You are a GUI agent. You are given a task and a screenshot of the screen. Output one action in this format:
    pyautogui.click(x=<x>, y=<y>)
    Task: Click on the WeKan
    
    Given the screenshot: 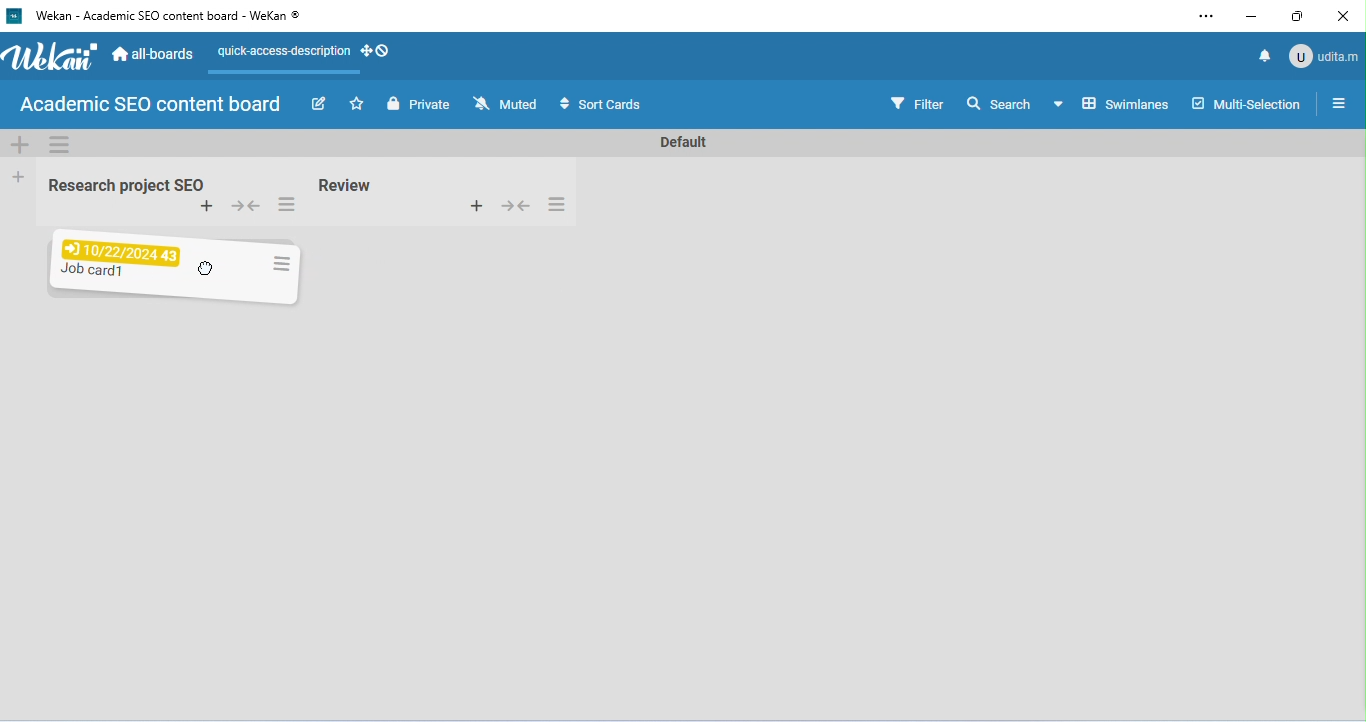 What is the action you would take?
    pyautogui.click(x=50, y=57)
    